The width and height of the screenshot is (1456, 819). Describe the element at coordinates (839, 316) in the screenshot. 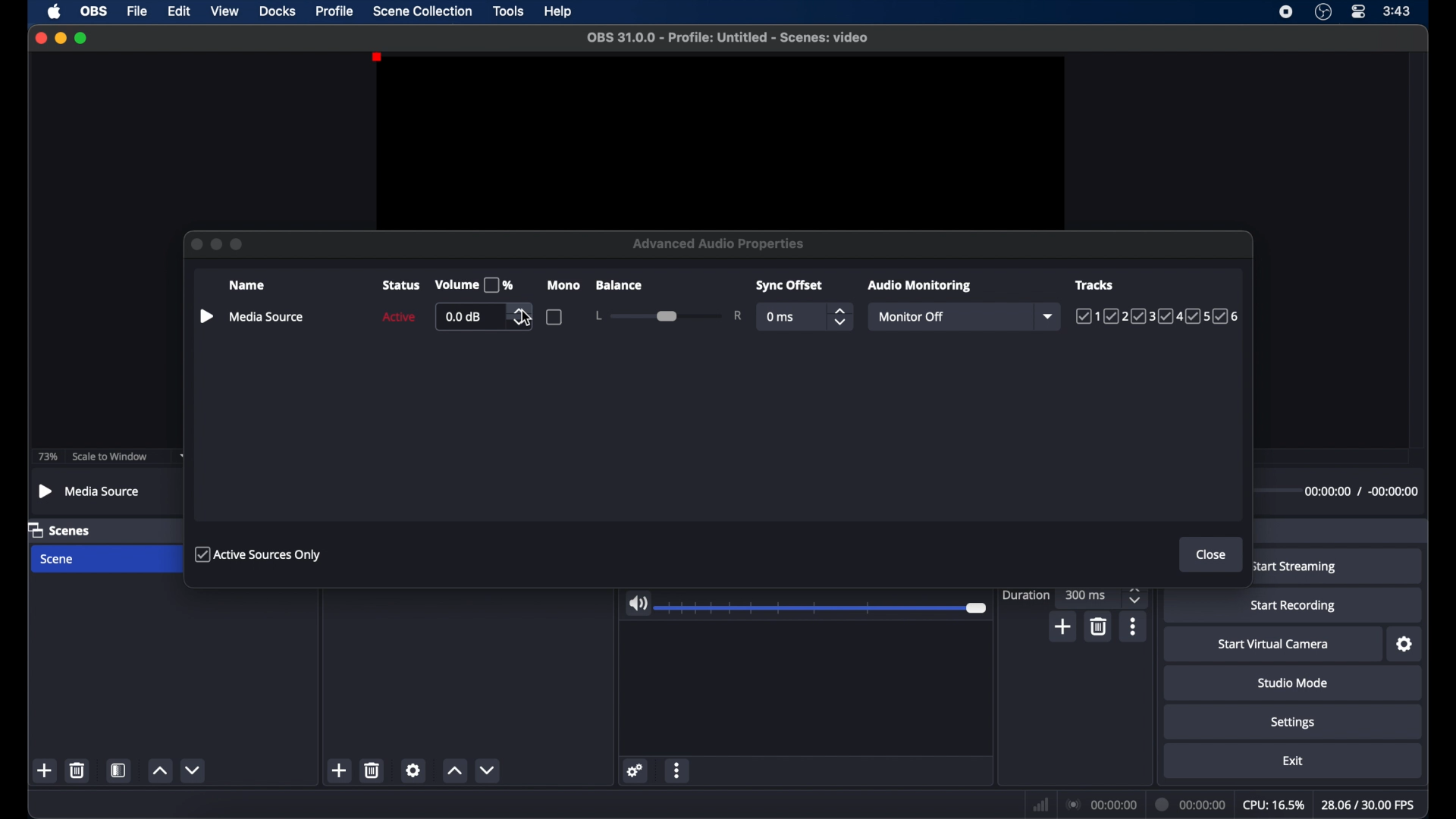

I see `stepper buttons` at that location.